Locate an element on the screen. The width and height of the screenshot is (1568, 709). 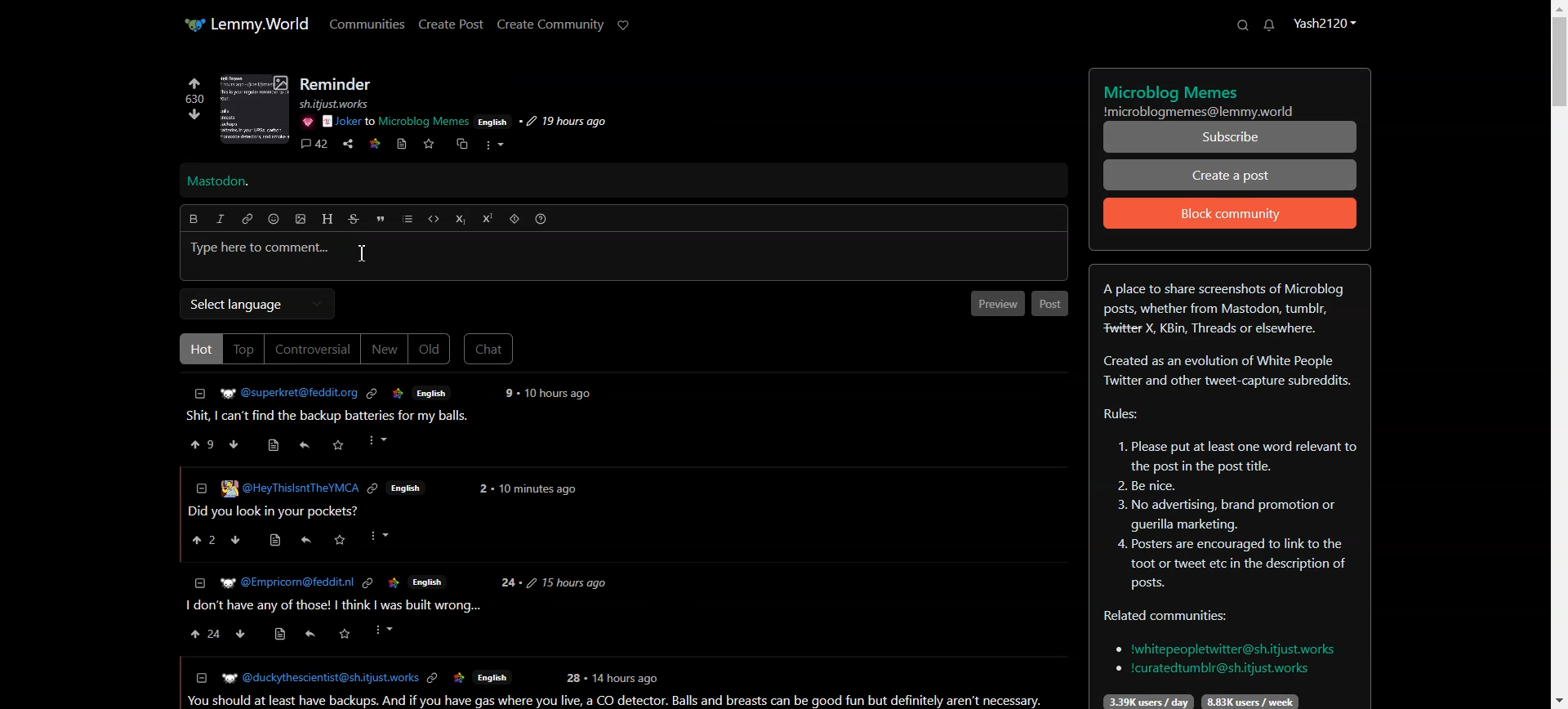
Text is located at coordinates (1231, 96).